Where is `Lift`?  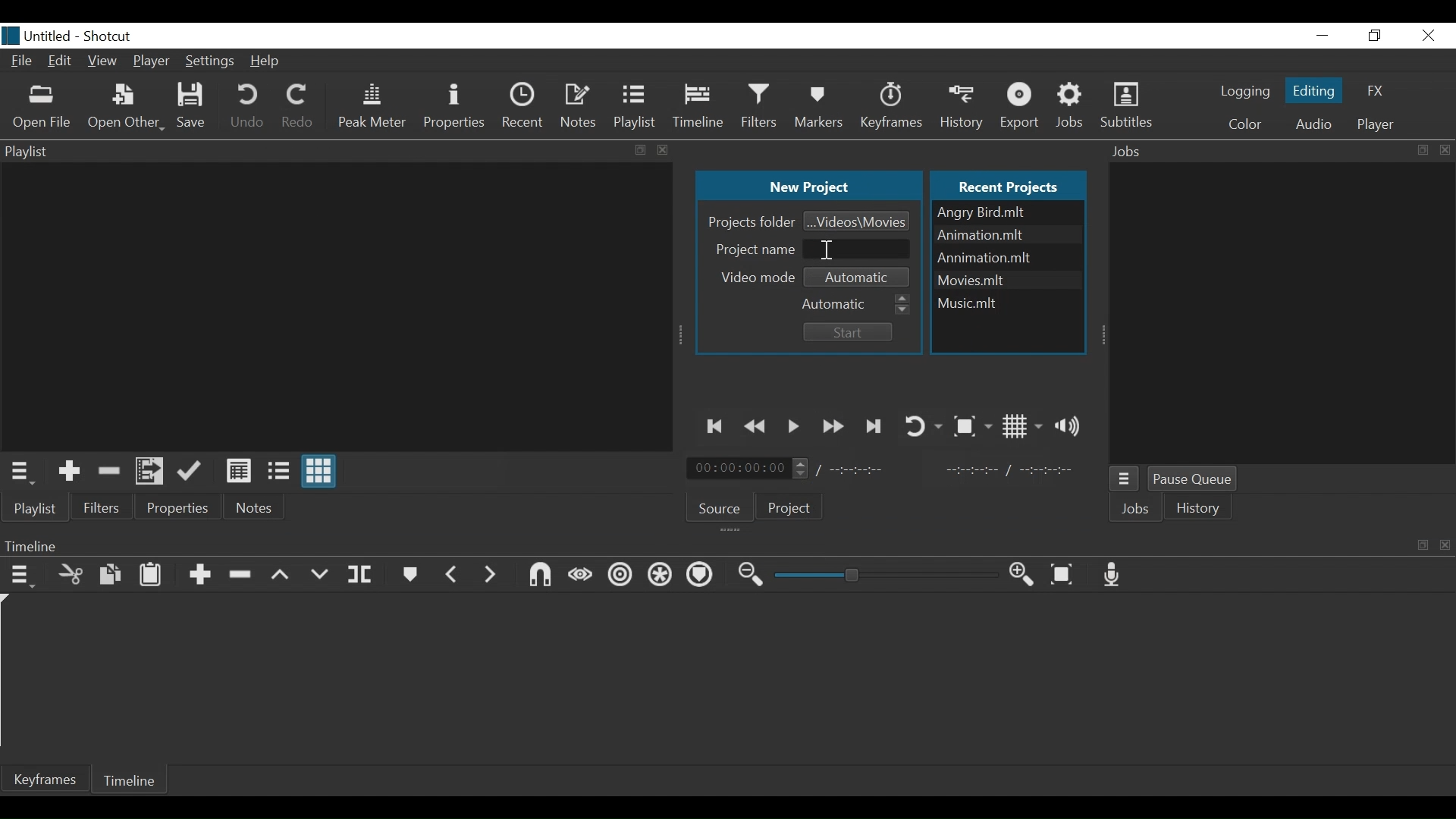
Lift is located at coordinates (281, 576).